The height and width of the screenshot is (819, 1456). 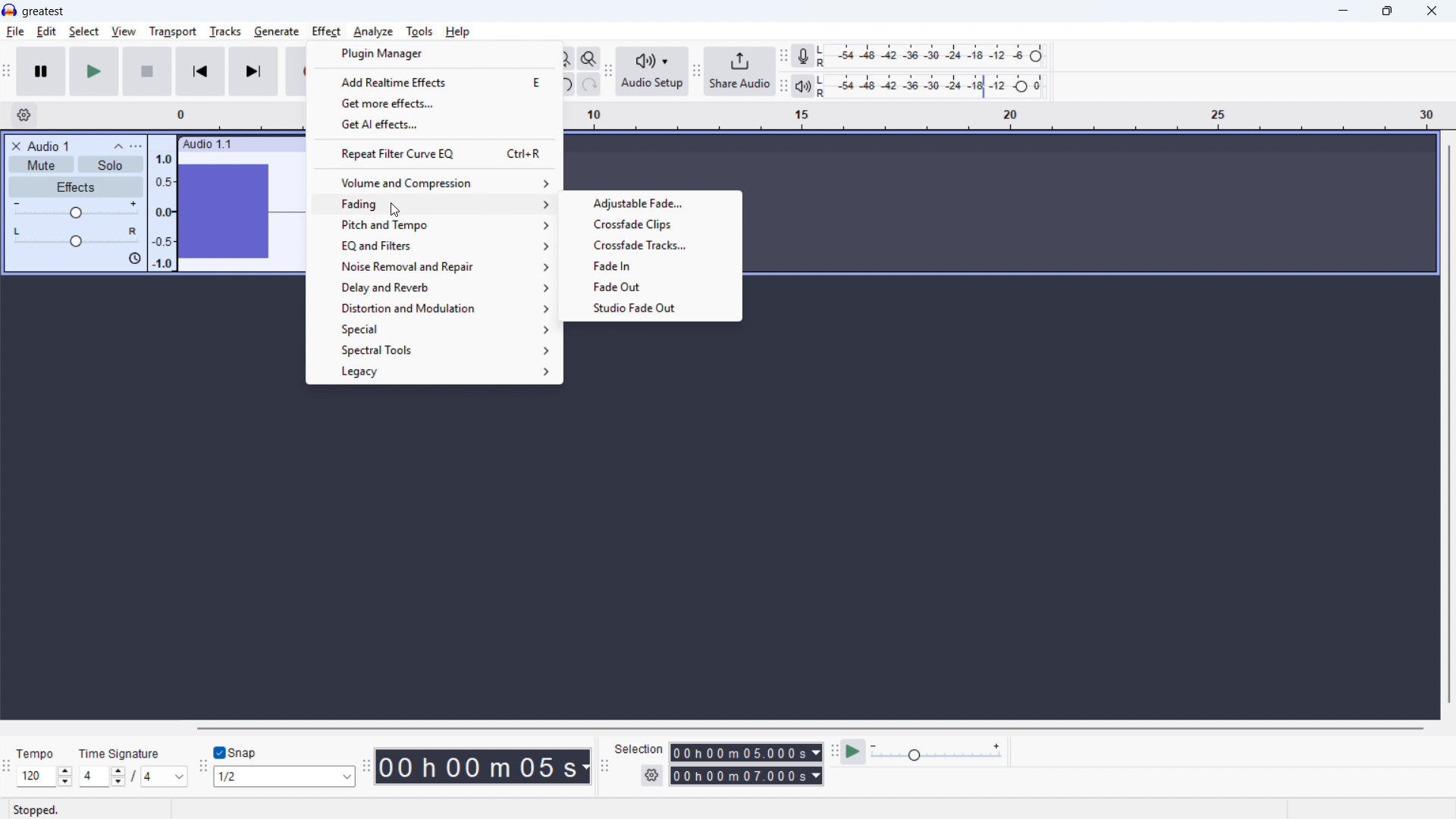 What do you see at coordinates (607, 768) in the screenshot?
I see `Selection toolbar ` at bounding box center [607, 768].